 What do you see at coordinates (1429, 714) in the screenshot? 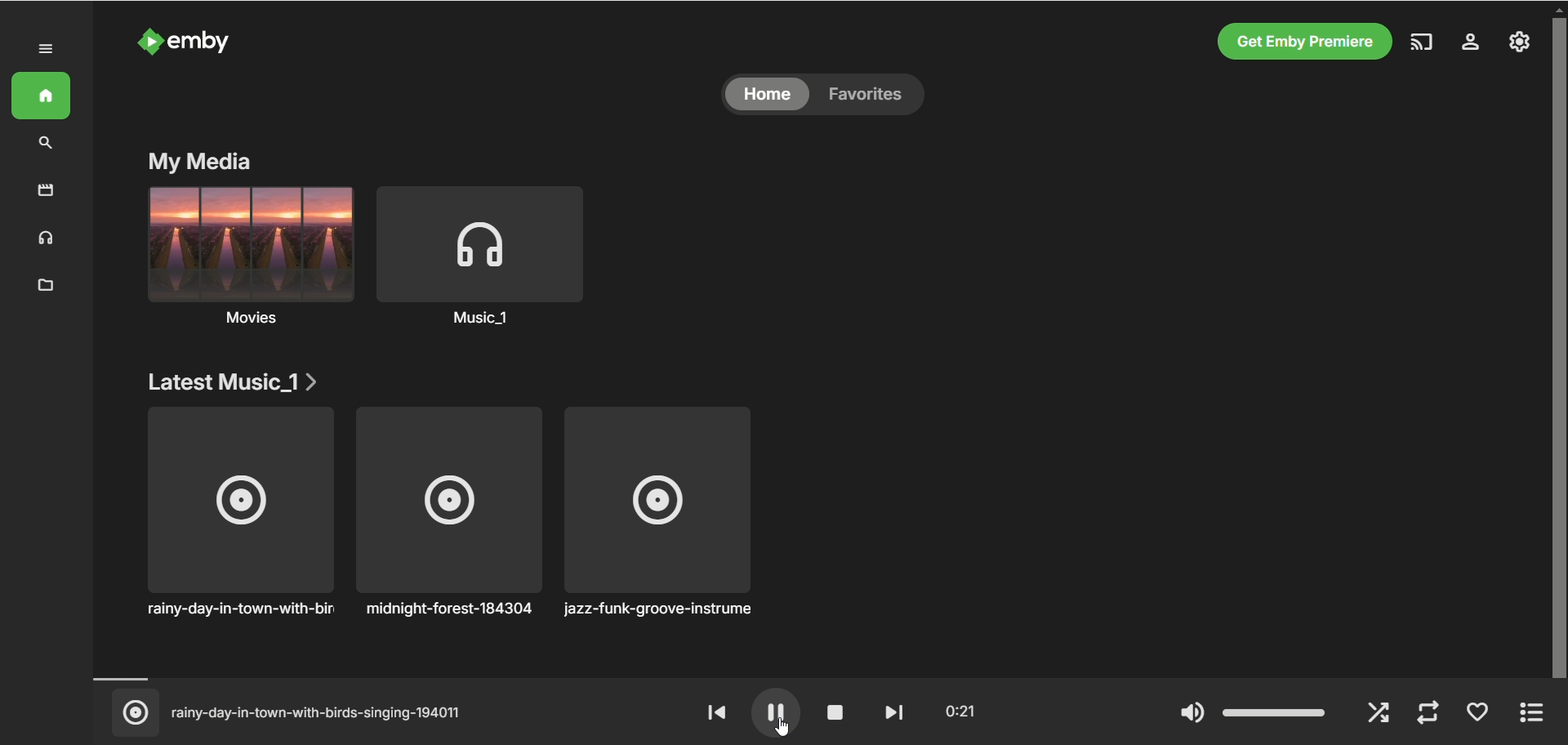
I see `repeat mode` at bounding box center [1429, 714].